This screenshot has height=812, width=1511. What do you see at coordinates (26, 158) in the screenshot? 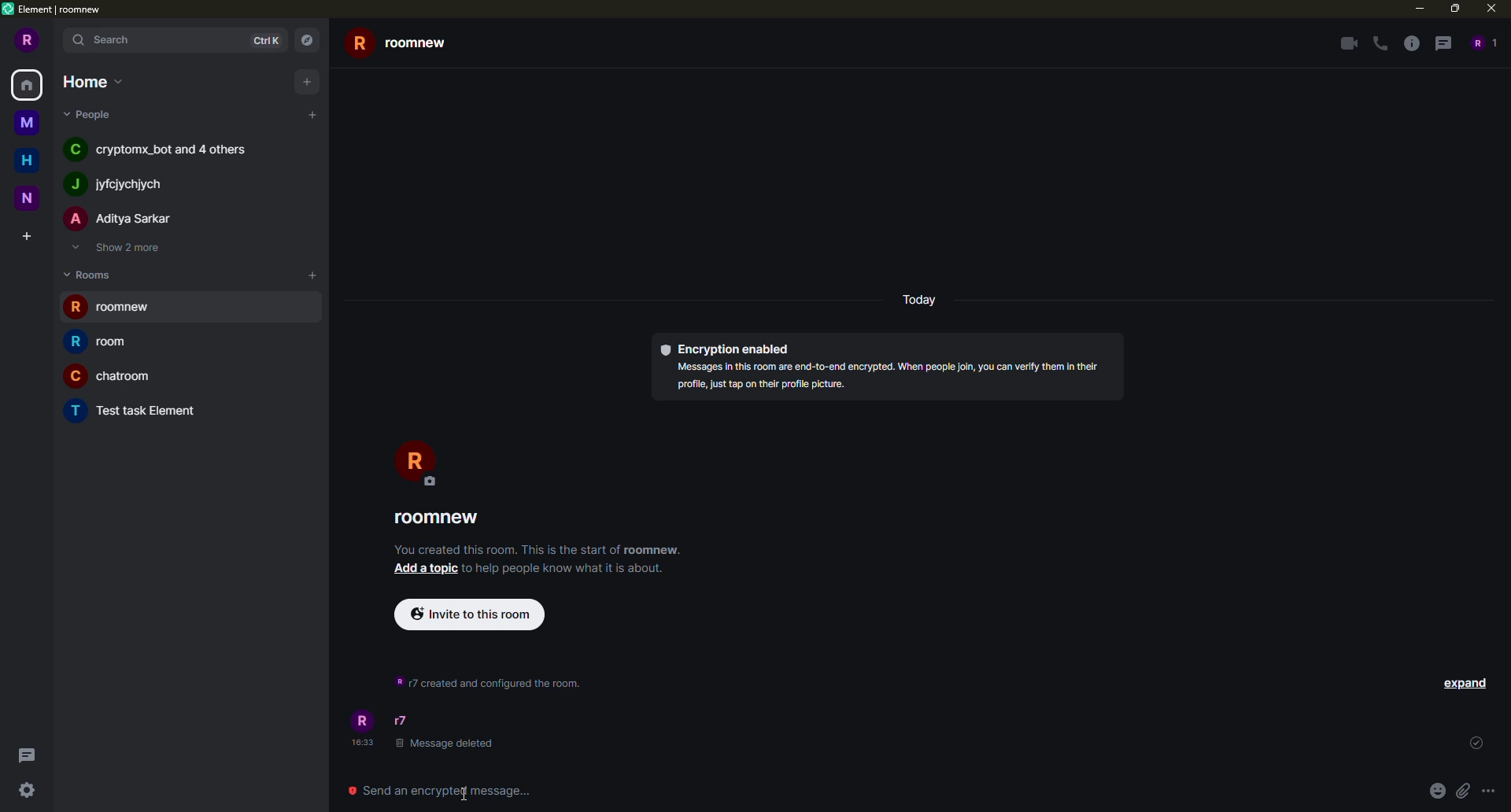
I see `home` at bounding box center [26, 158].